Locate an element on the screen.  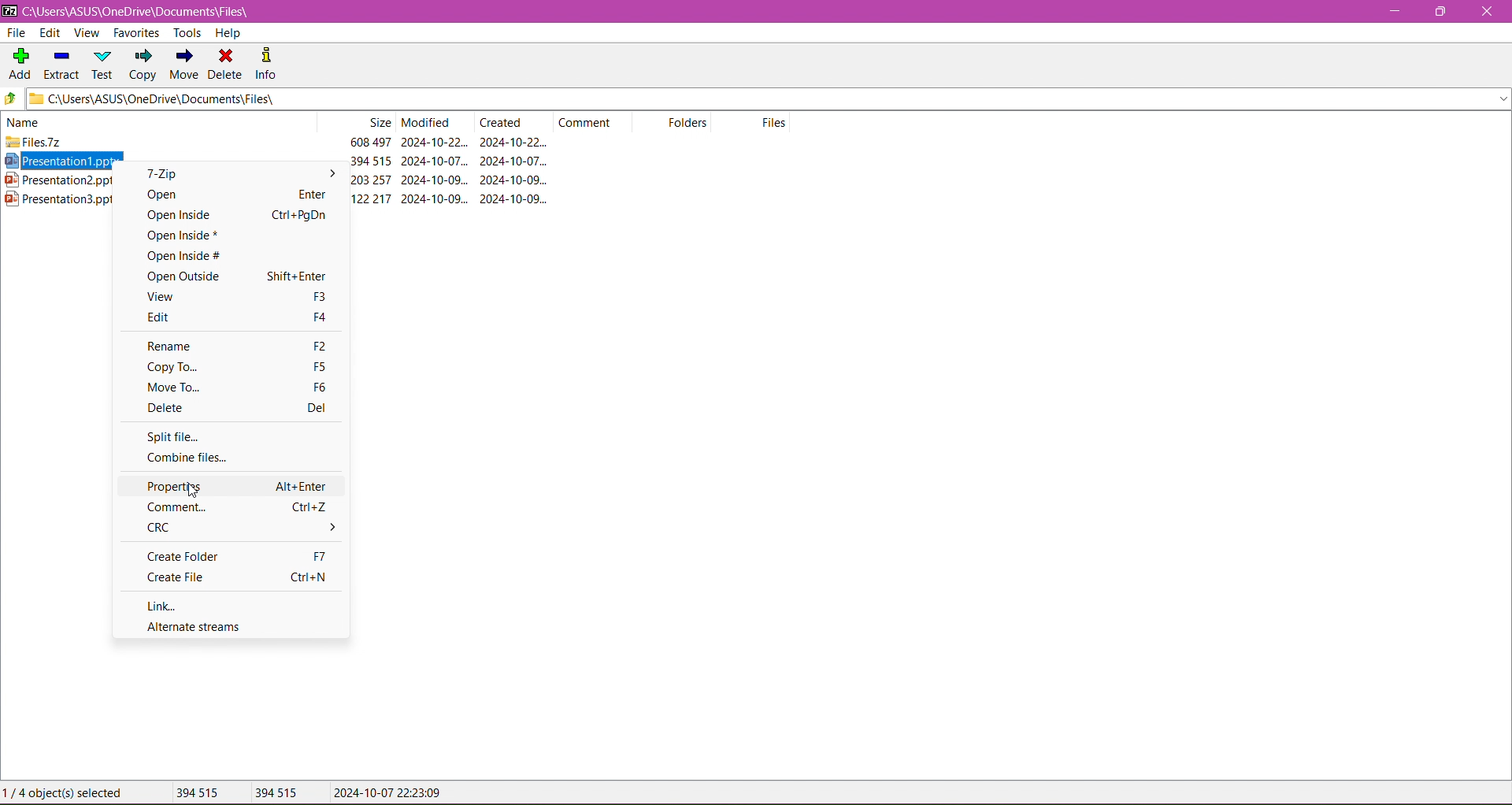
Restore Down is located at coordinates (1441, 12).